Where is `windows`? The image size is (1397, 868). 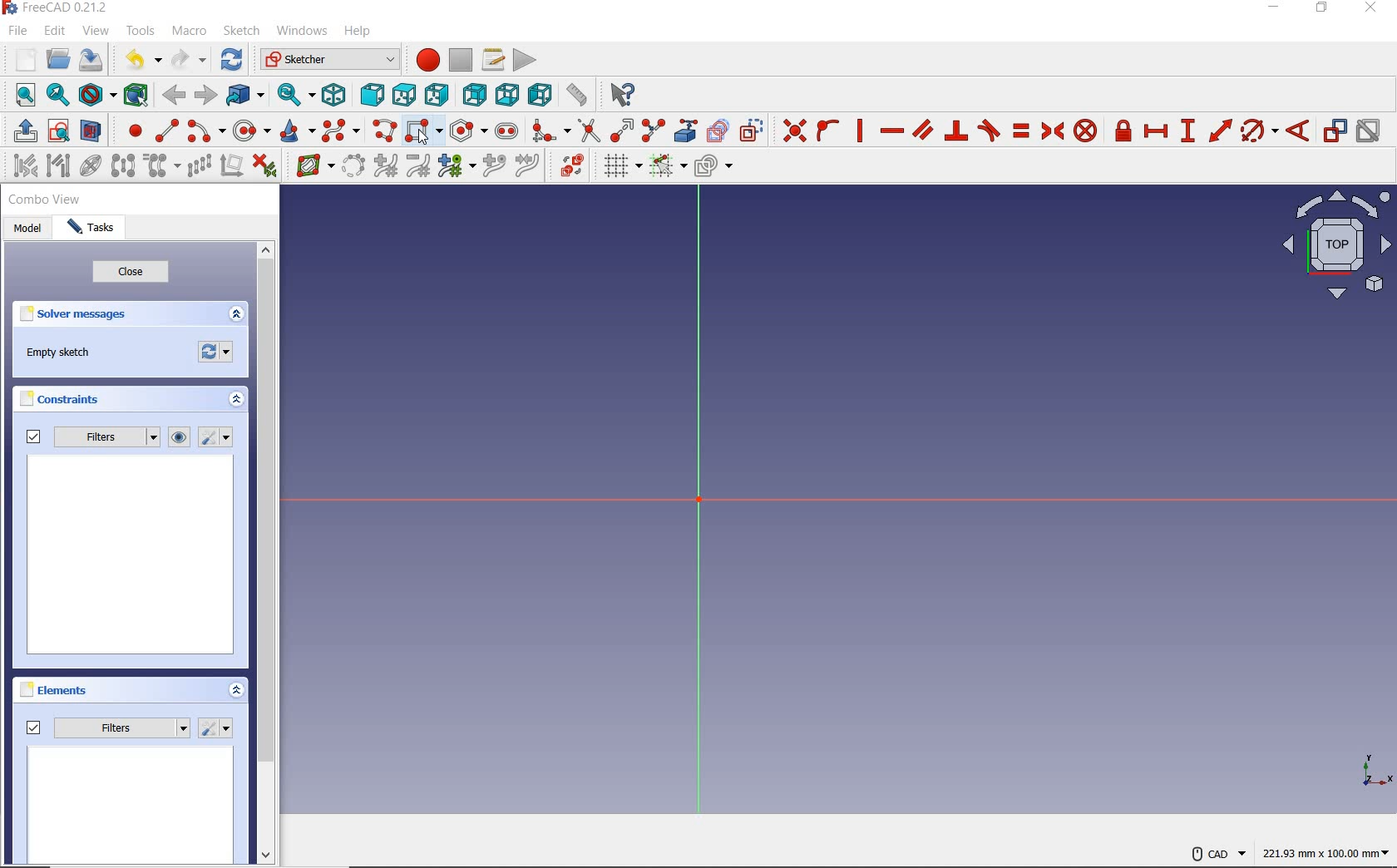 windows is located at coordinates (302, 31).